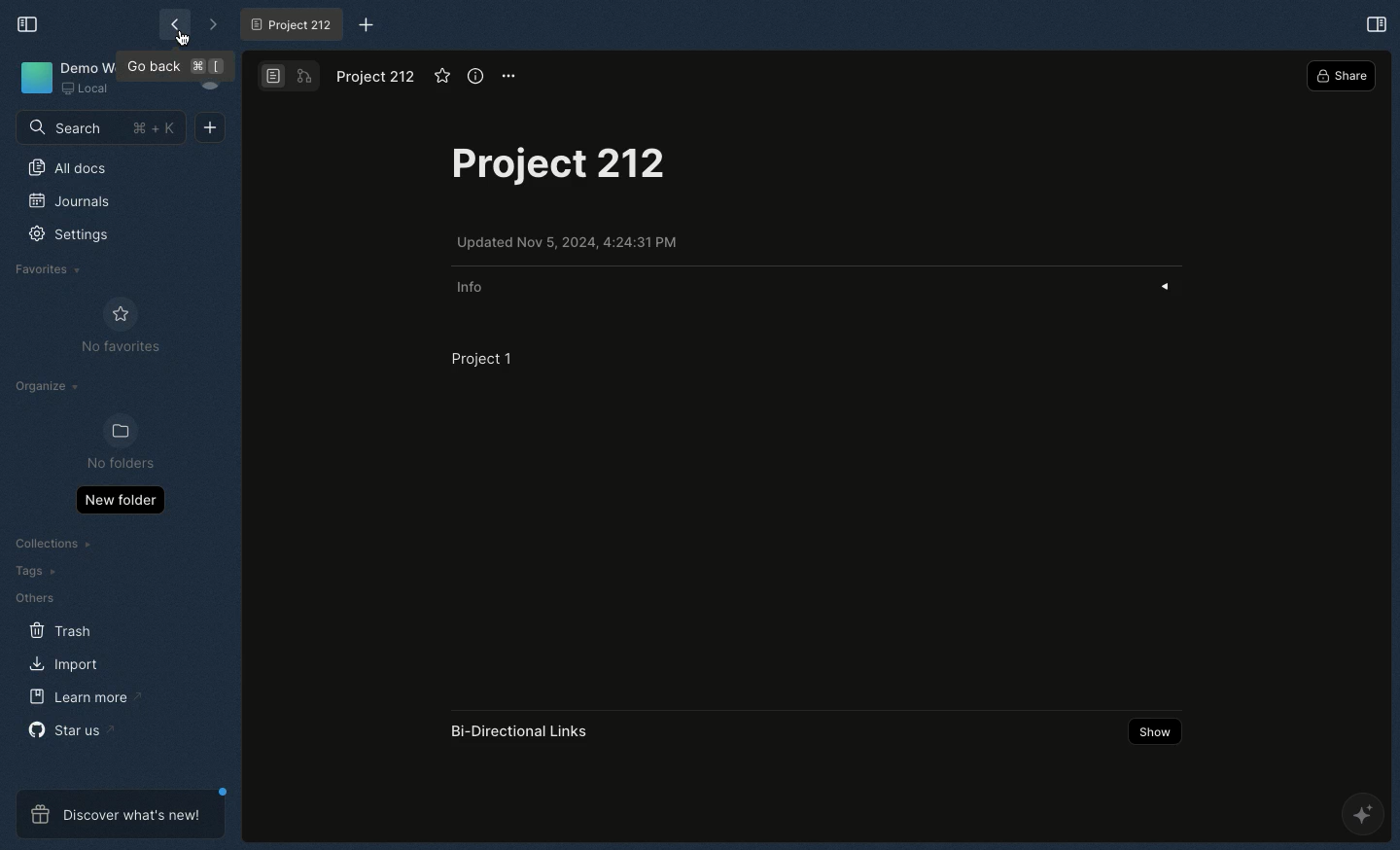 The height and width of the screenshot is (850, 1400). I want to click on Info, so click(473, 287).